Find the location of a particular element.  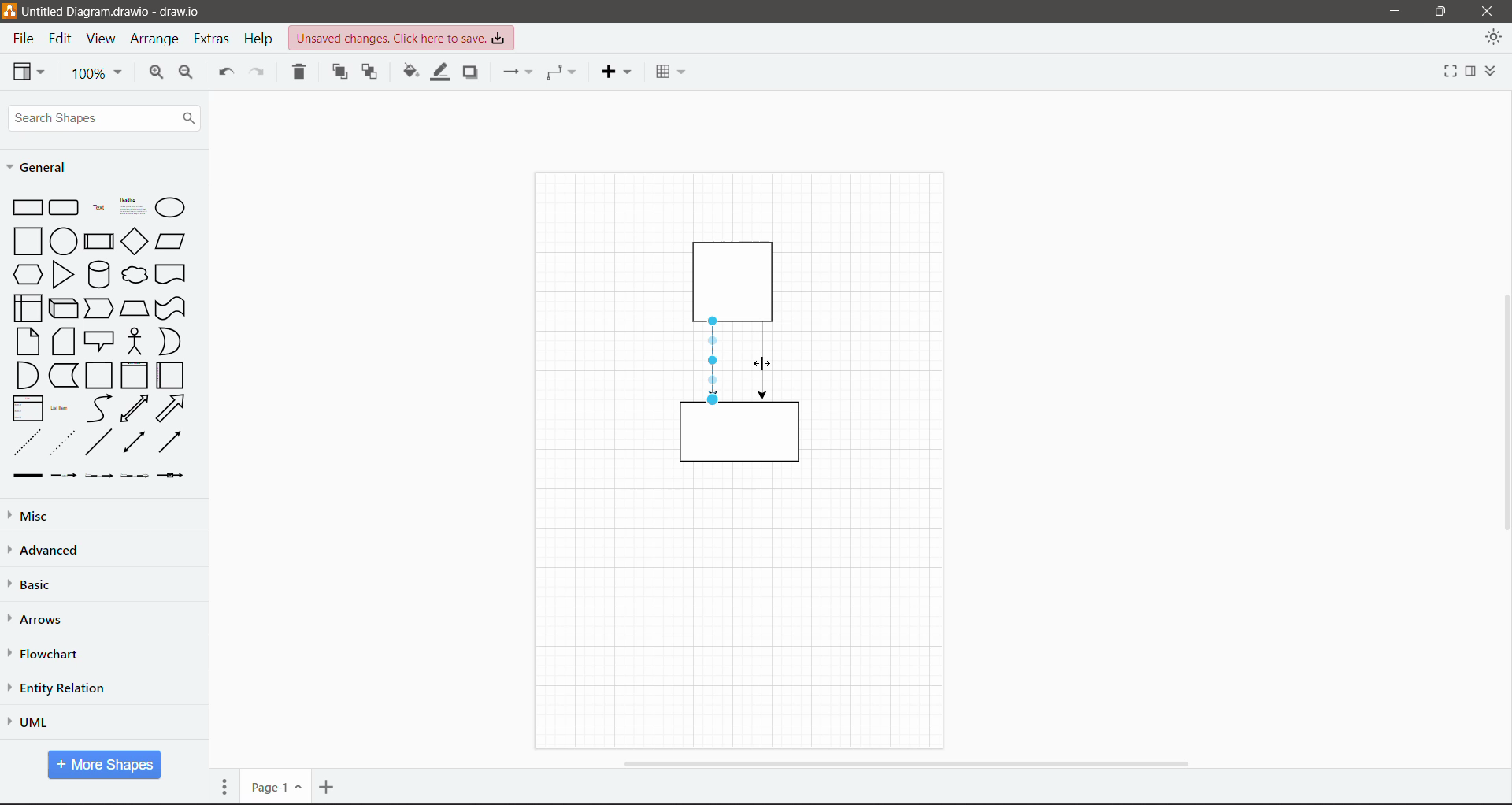

Line Color is located at coordinates (437, 75).